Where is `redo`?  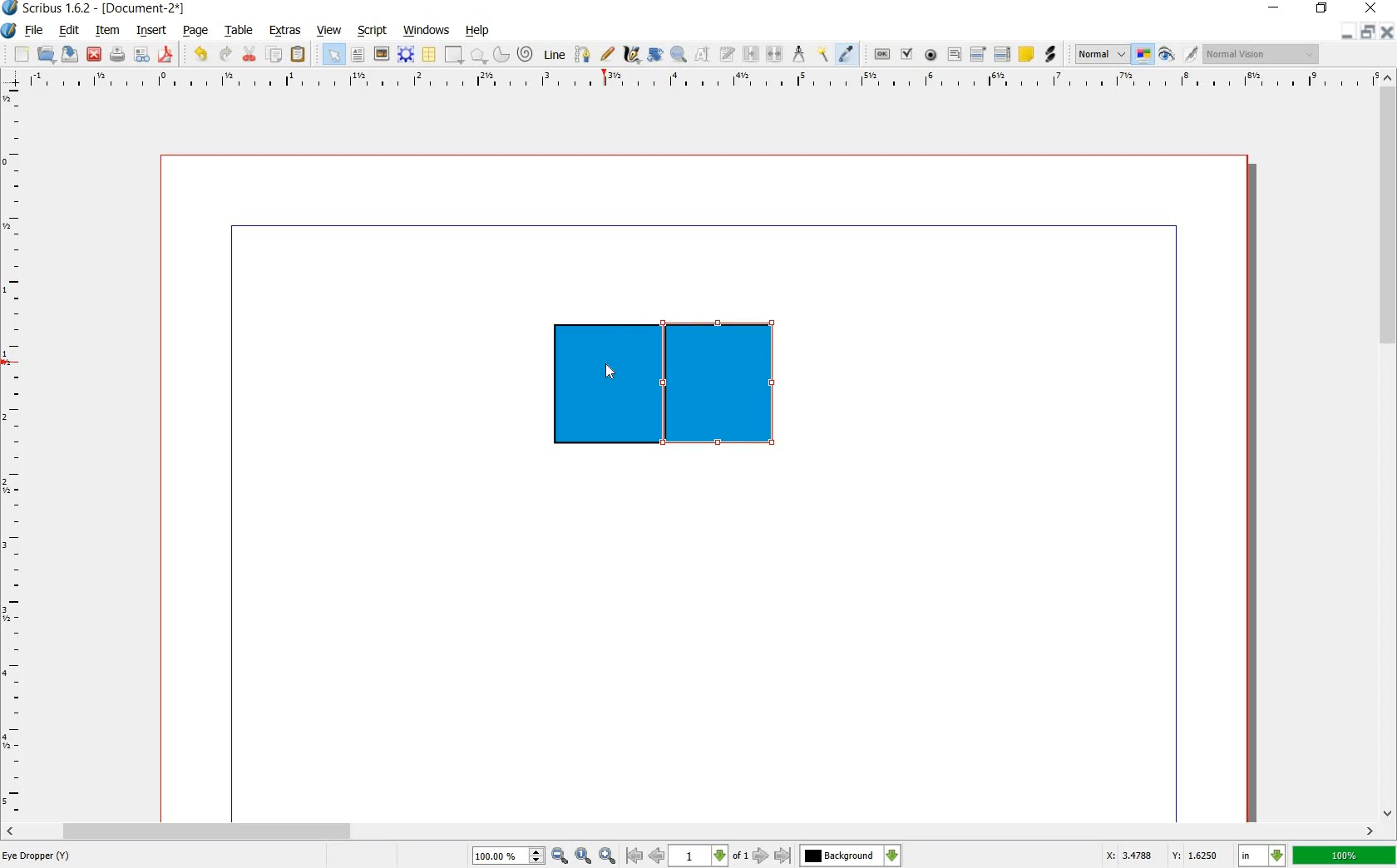
redo is located at coordinates (226, 56).